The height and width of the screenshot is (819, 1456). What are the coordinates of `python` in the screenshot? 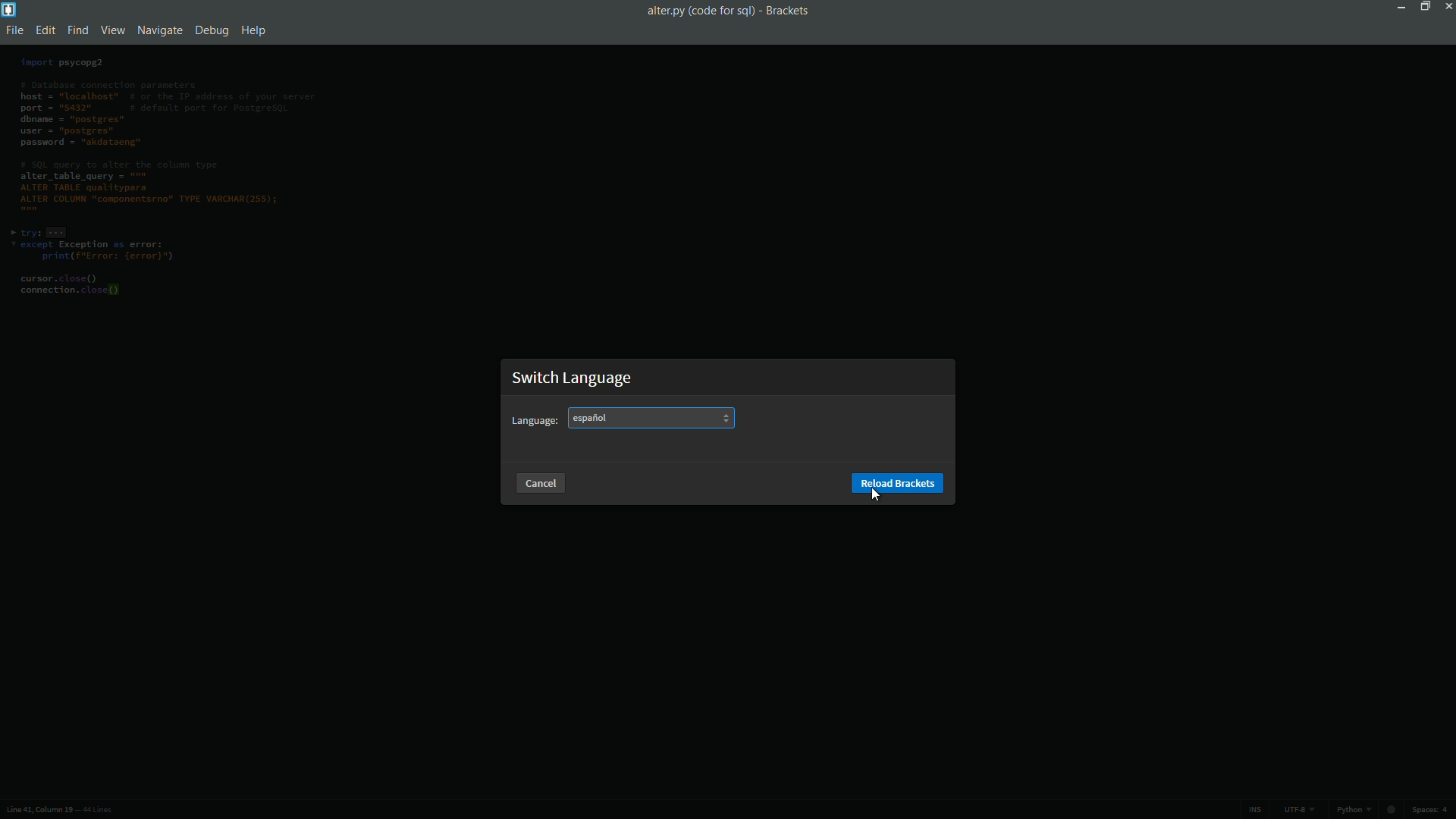 It's located at (1354, 810).